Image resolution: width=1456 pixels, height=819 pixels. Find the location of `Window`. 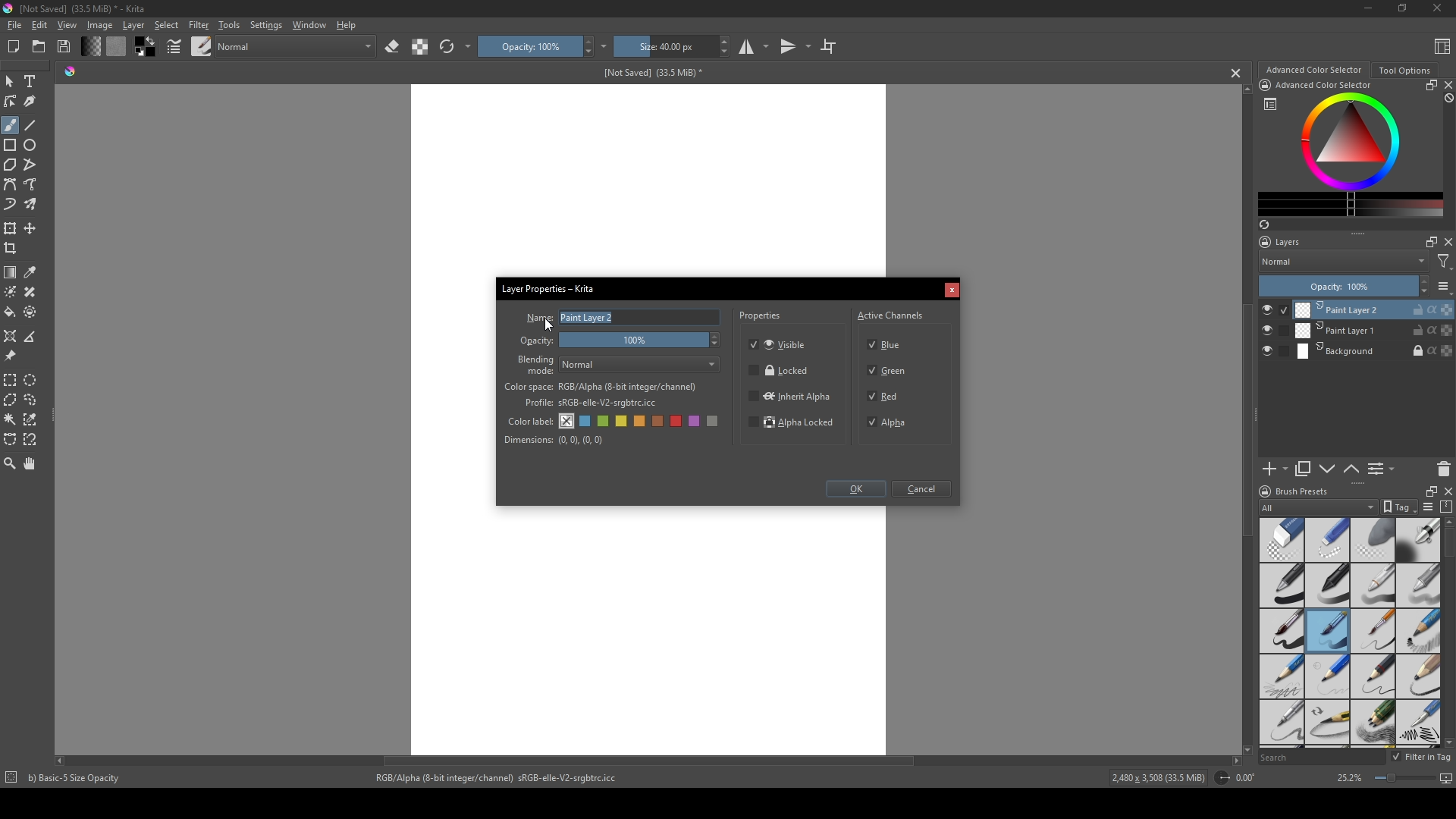

Window is located at coordinates (307, 24).